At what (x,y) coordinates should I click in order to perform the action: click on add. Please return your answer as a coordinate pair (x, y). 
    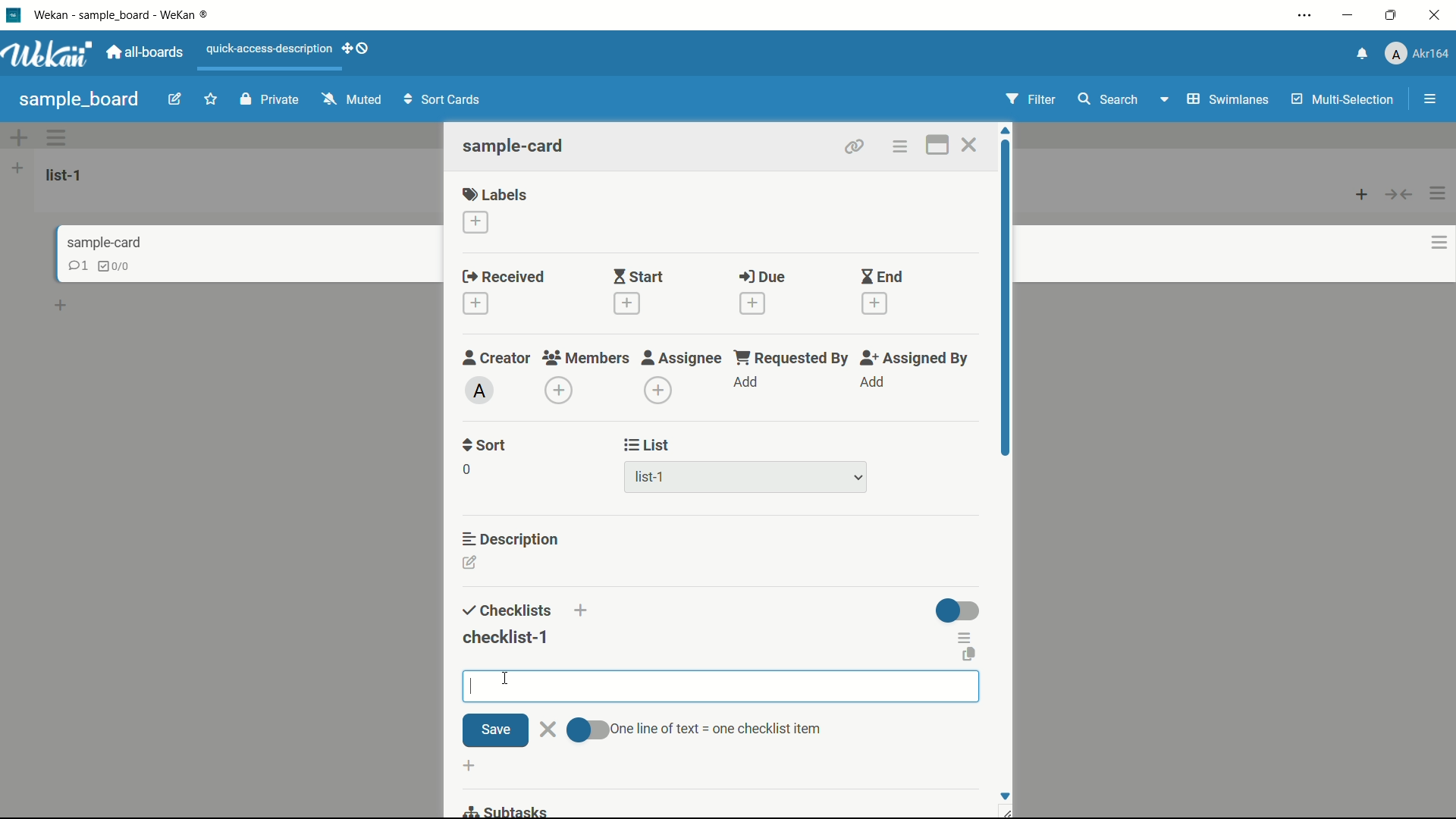
    Looking at the image, I should click on (61, 305).